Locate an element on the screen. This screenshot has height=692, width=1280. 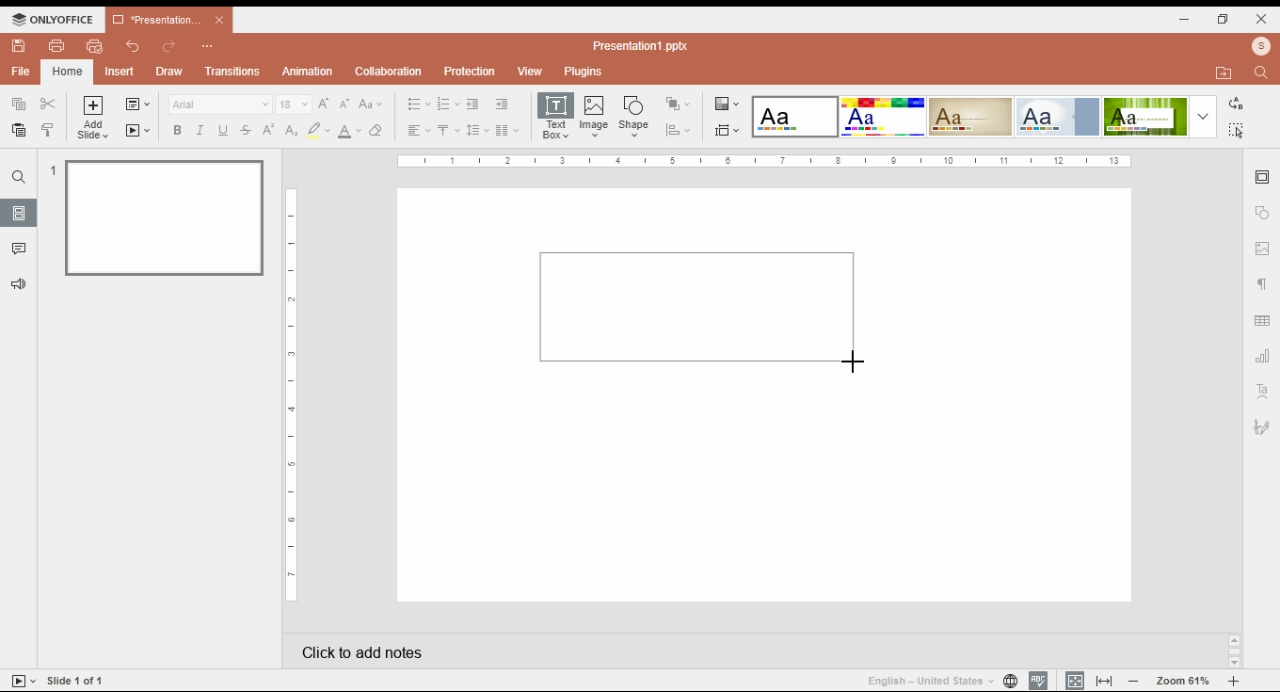
highlight color is located at coordinates (317, 129).